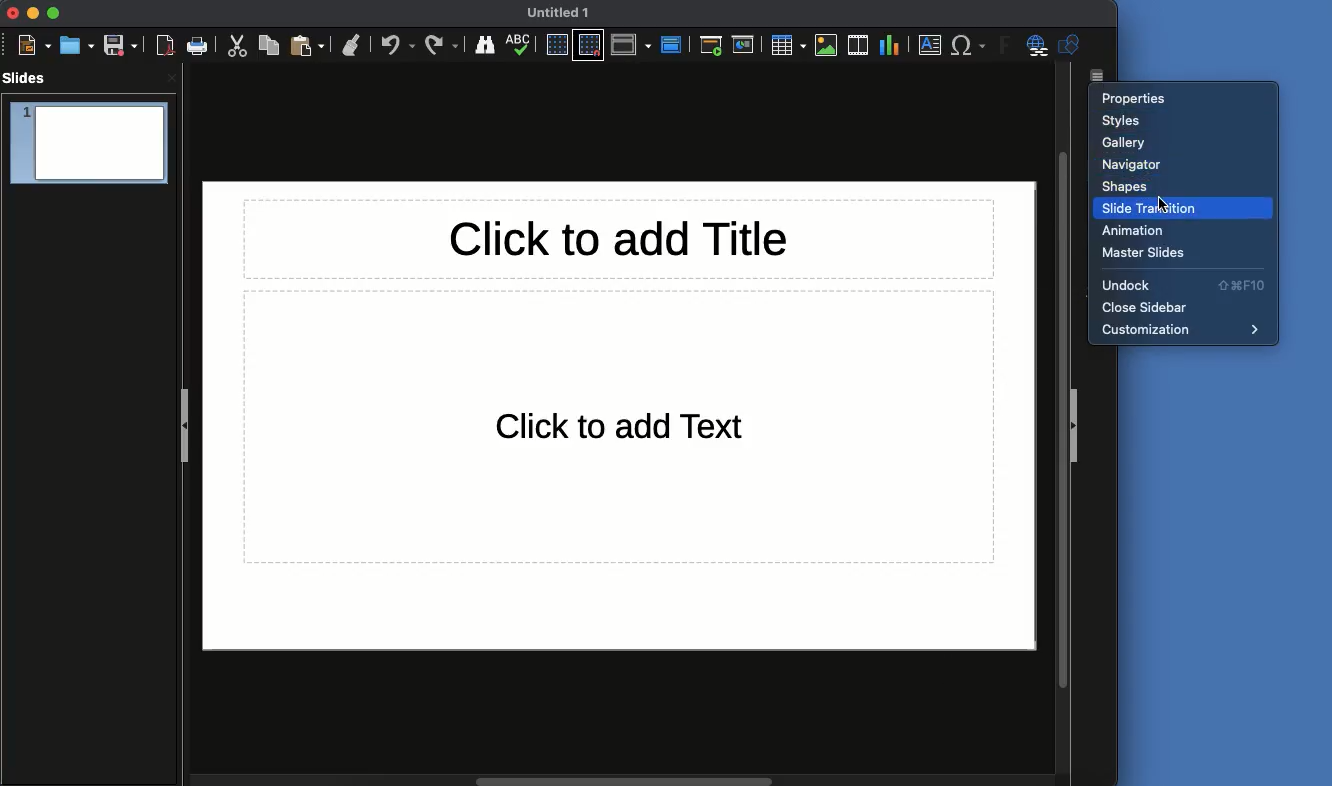 This screenshot has height=786, width=1332. Describe the element at coordinates (710, 46) in the screenshot. I see `Start from first slide` at that location.